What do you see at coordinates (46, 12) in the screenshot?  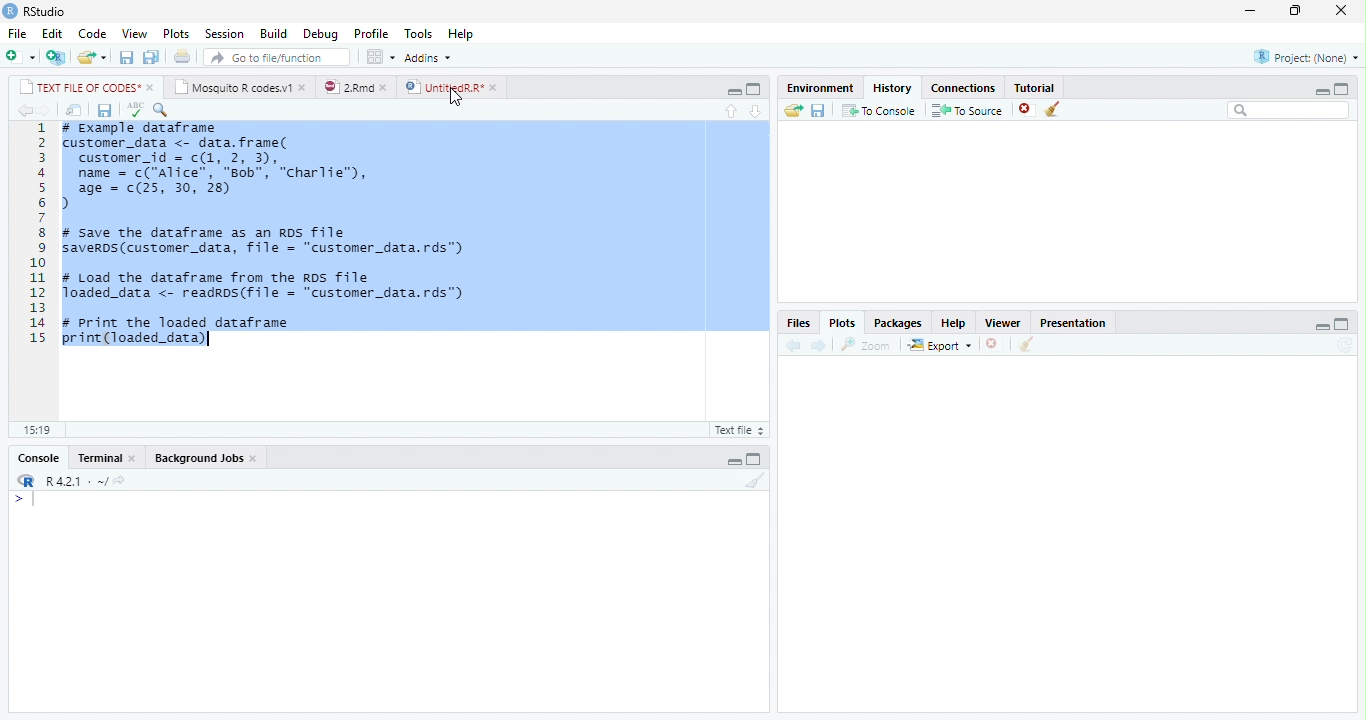 I see `RStudio` at bounding box center [46, 12].